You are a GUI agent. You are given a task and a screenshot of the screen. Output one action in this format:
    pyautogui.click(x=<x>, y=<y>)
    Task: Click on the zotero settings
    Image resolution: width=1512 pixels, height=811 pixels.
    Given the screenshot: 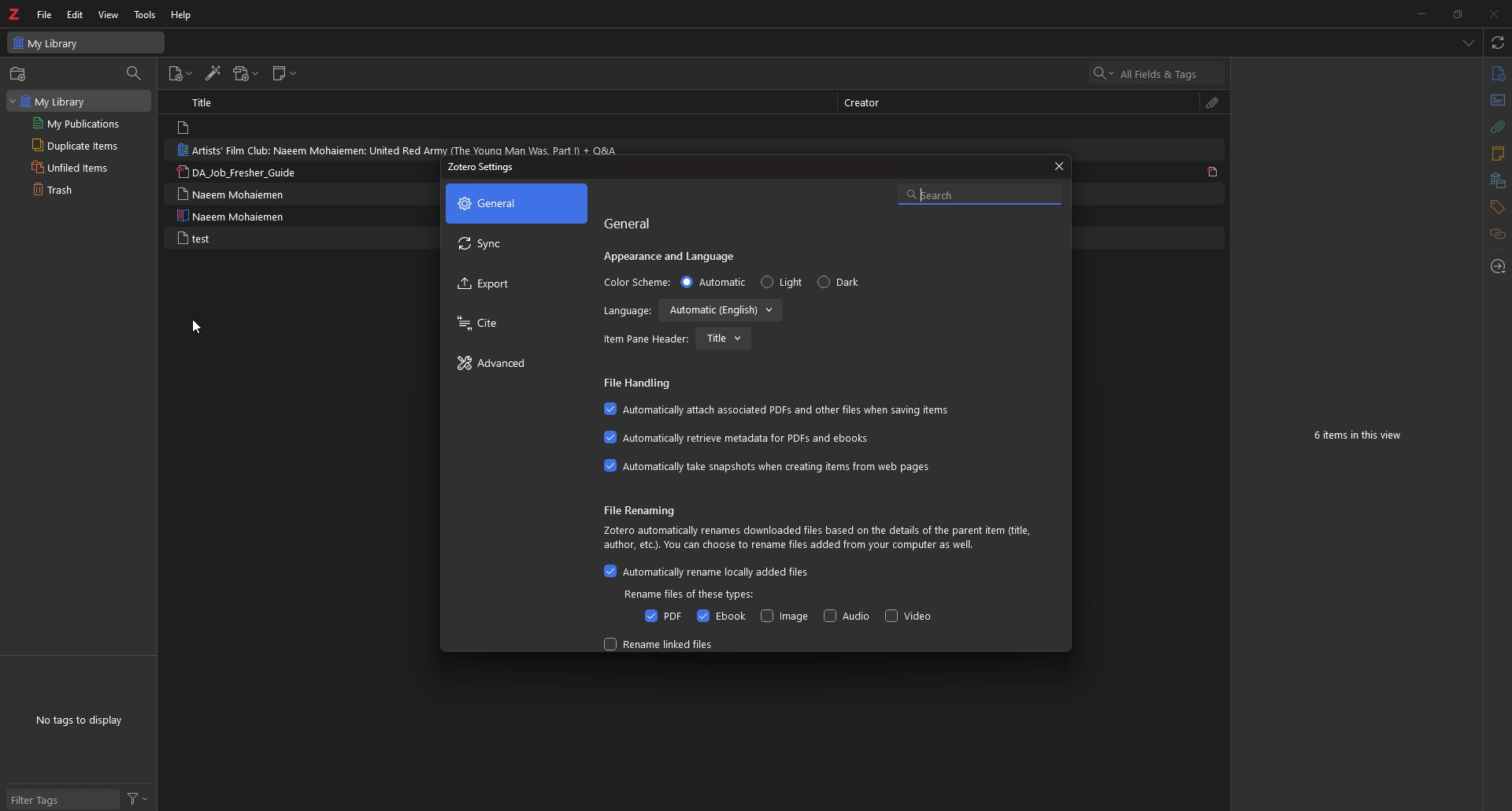 What is the action you would take?
    pyautogui.click(x=485, y=168)
    